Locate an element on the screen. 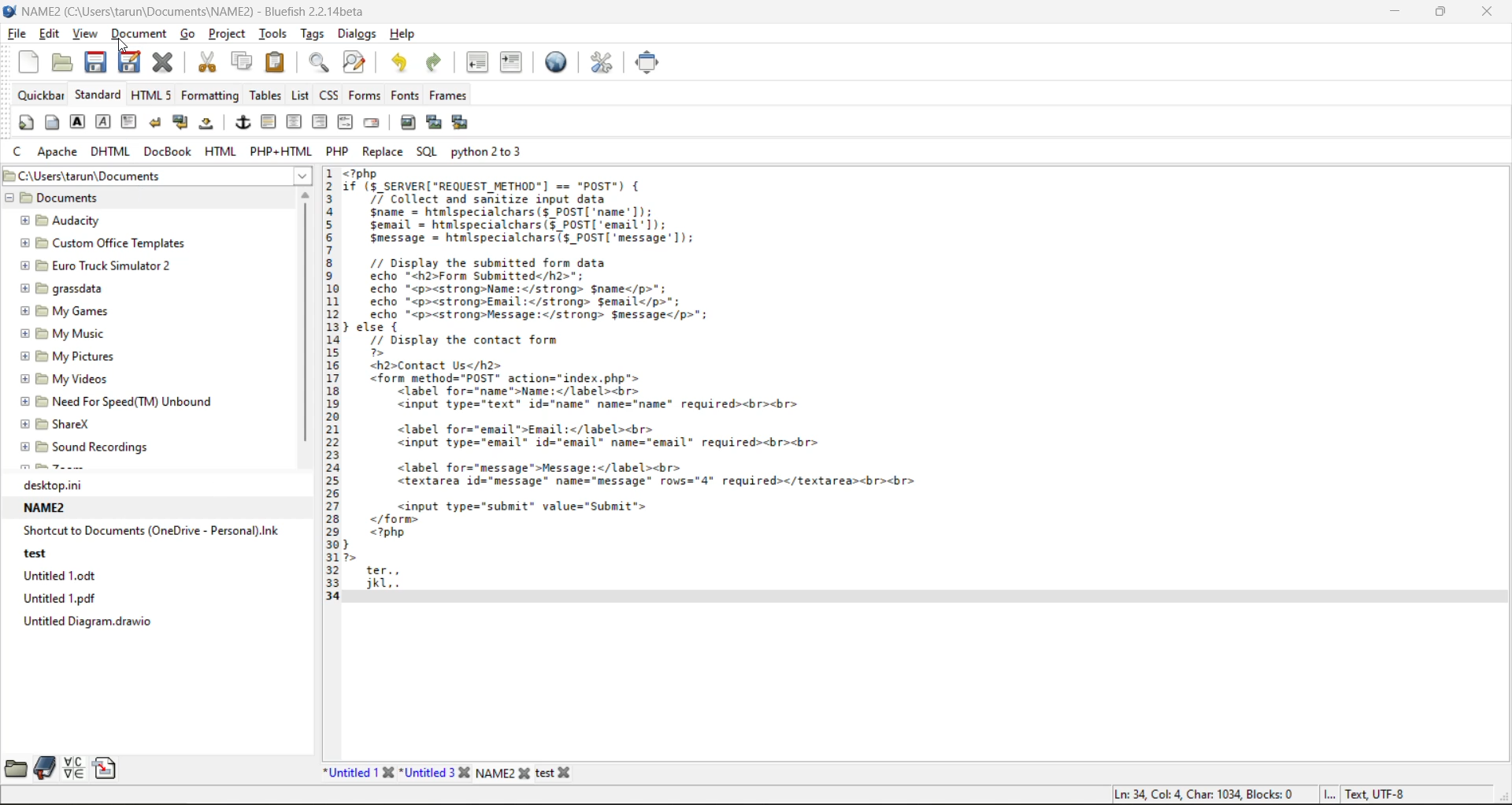 The height and width of the screenshot is (805, 1512). minimize is located at coordinates (1392, 14).